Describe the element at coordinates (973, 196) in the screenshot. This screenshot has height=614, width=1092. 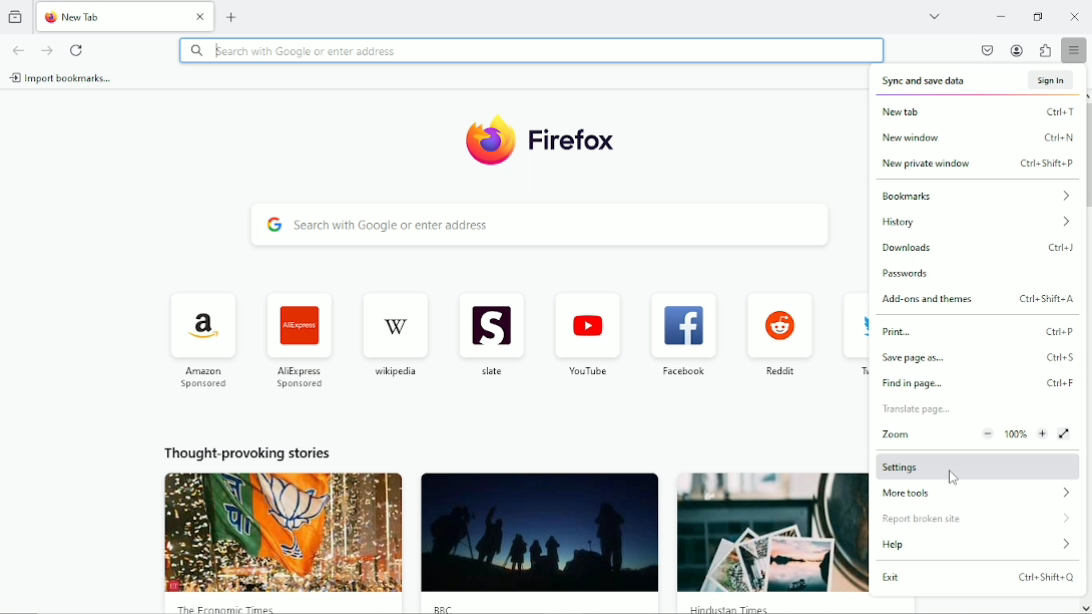
I see `Bookmarks >` at that location.